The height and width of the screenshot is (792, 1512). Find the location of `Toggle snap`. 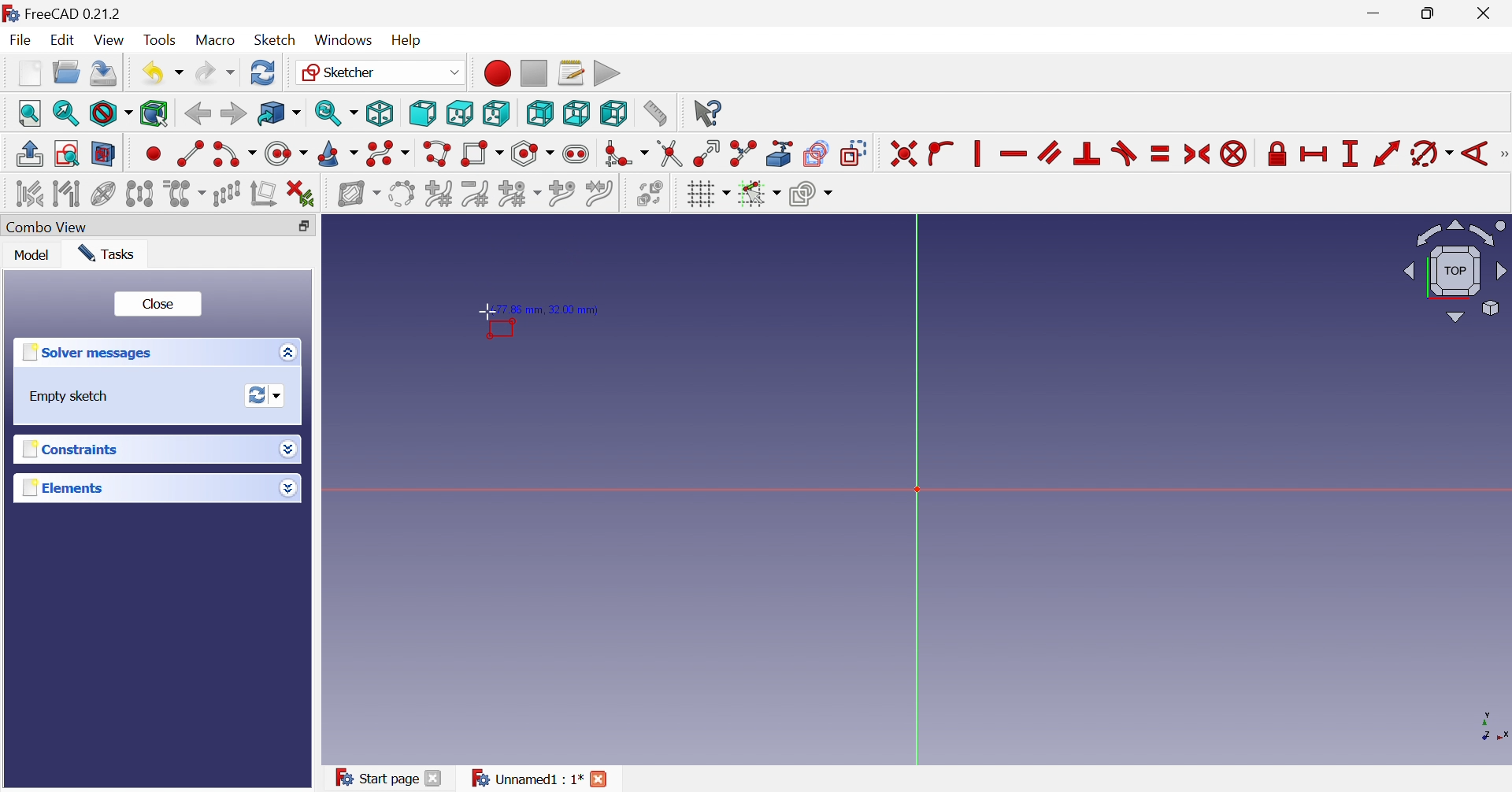

Toggle snap is located at coordinates (758, 194).